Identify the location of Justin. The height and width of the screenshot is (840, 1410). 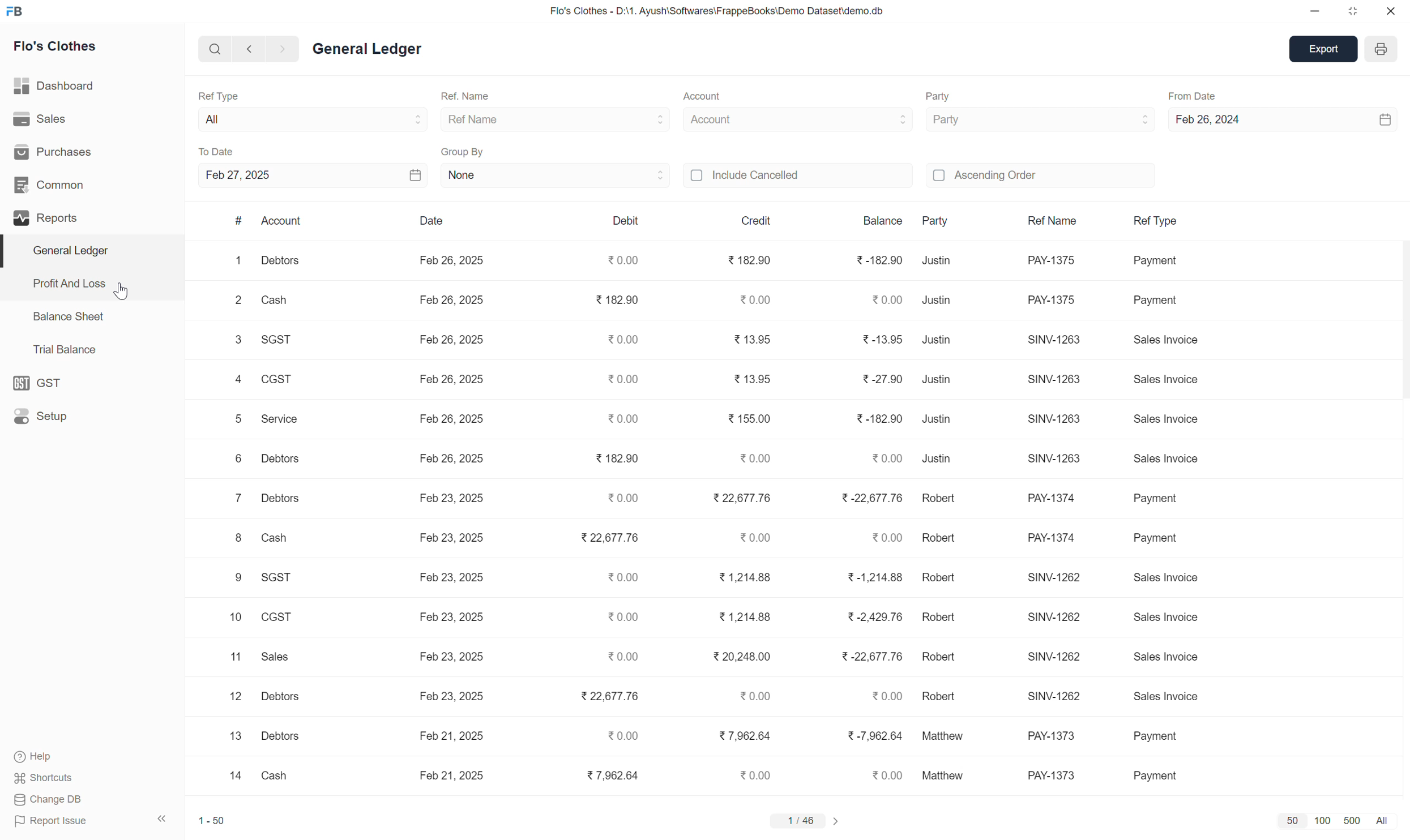
(935, 381).